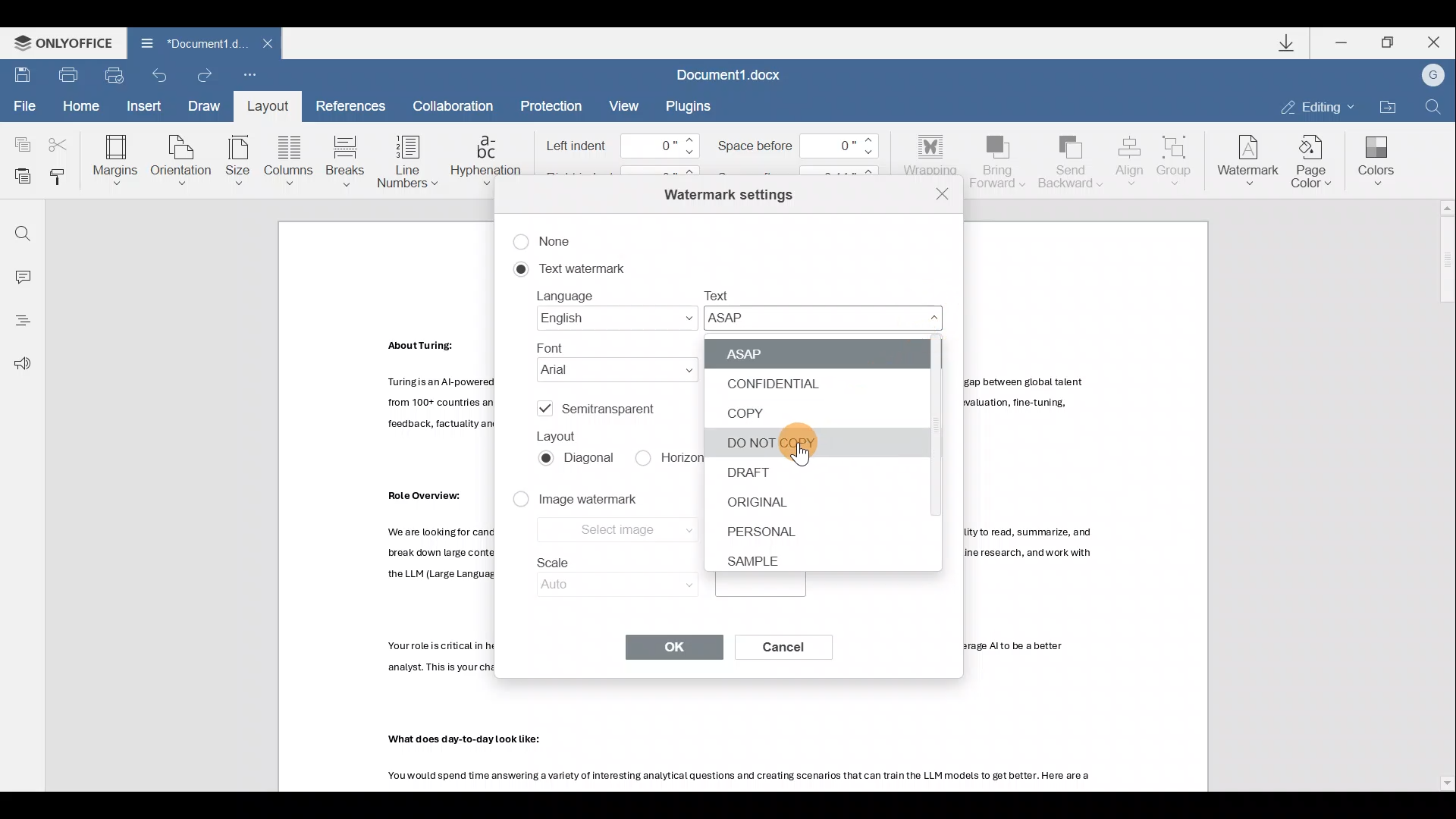 The width and height of the screenshot is (1456, 819). Describe the element at coordinates (927, 149) in the screenshot. I see `Wrapping` at that location.